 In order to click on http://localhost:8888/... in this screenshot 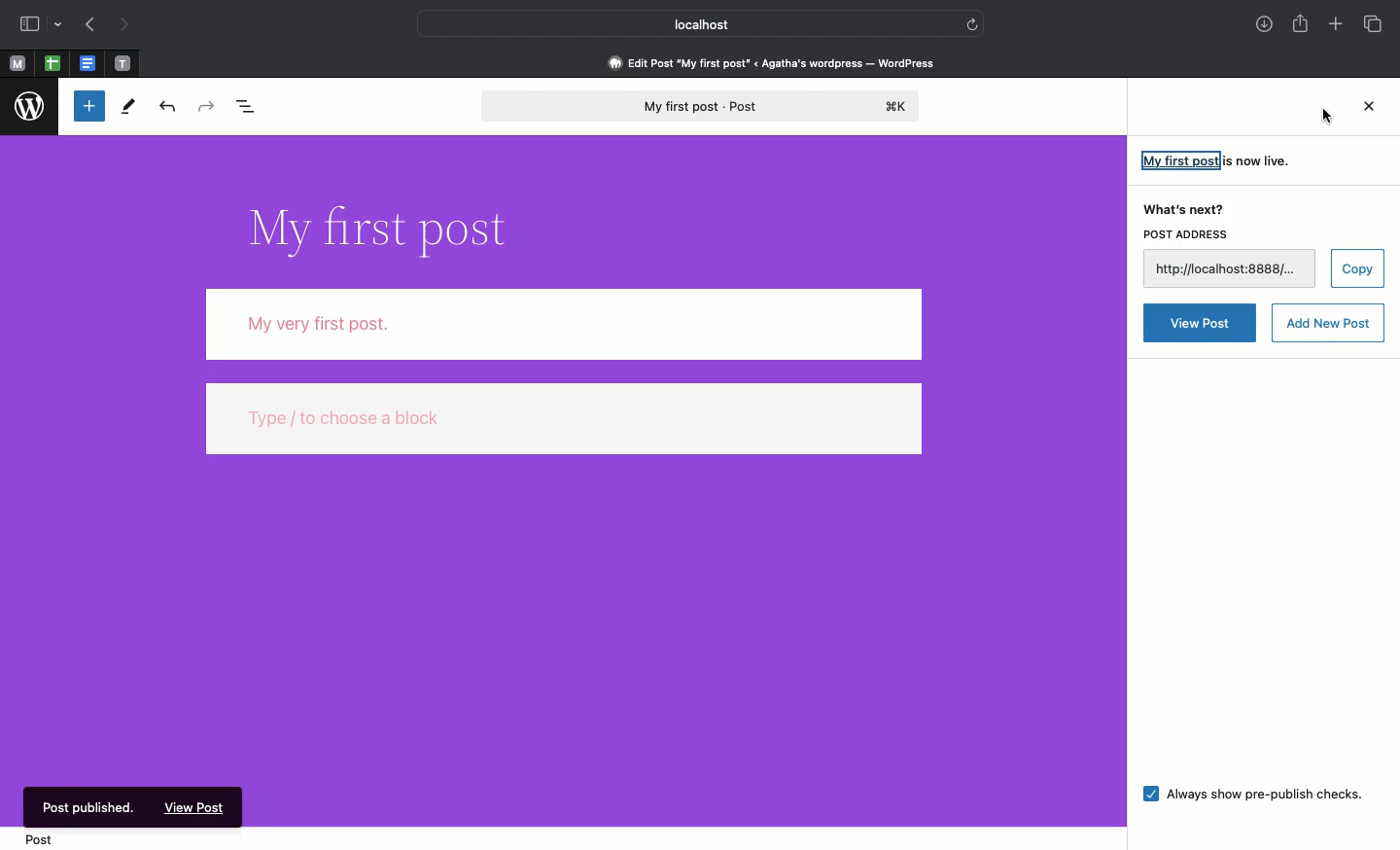, I will do `click(1230, 269)`.